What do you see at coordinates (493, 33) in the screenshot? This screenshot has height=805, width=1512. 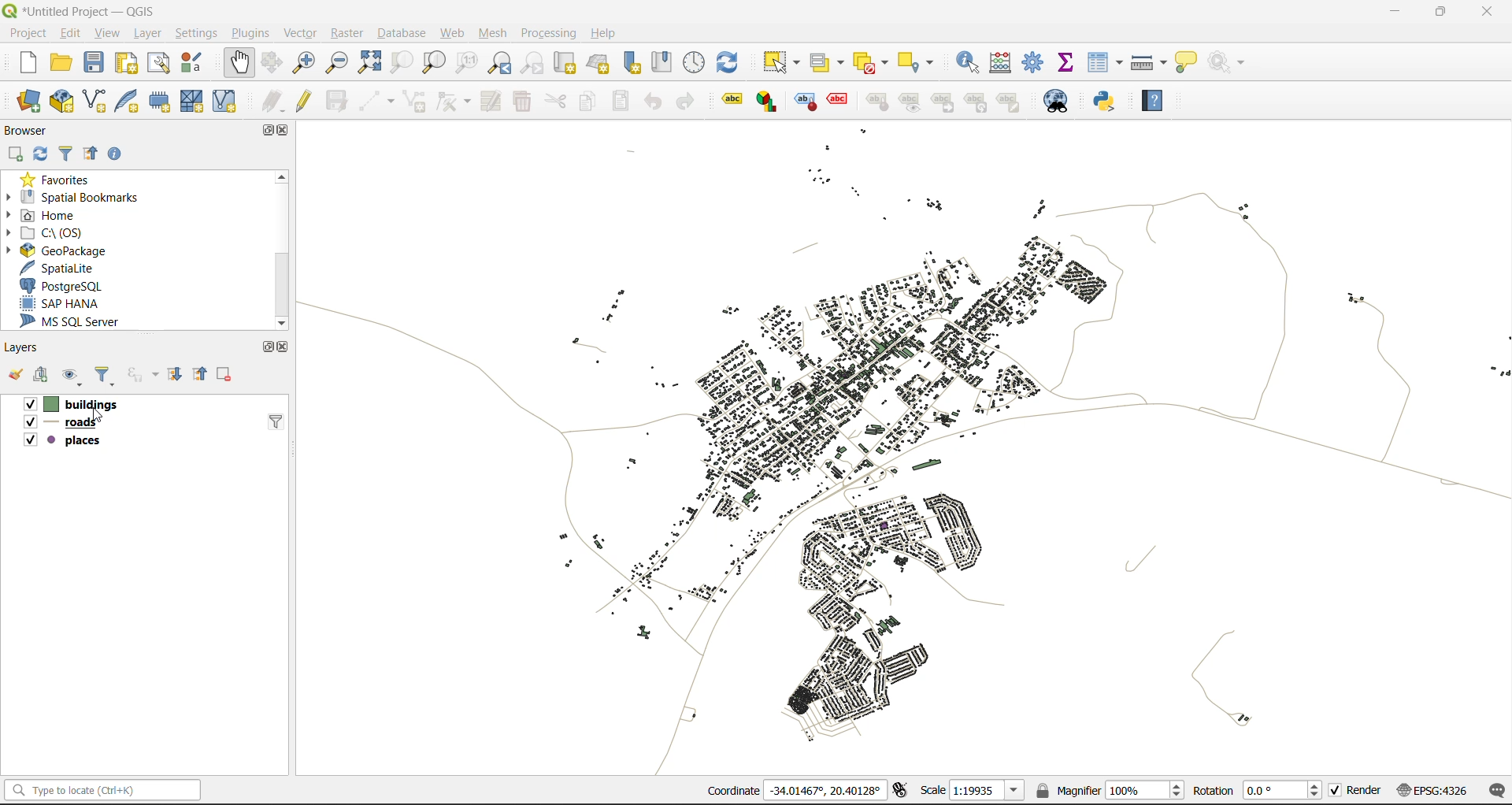 I see `mesh` at bounding box center [493, 33].